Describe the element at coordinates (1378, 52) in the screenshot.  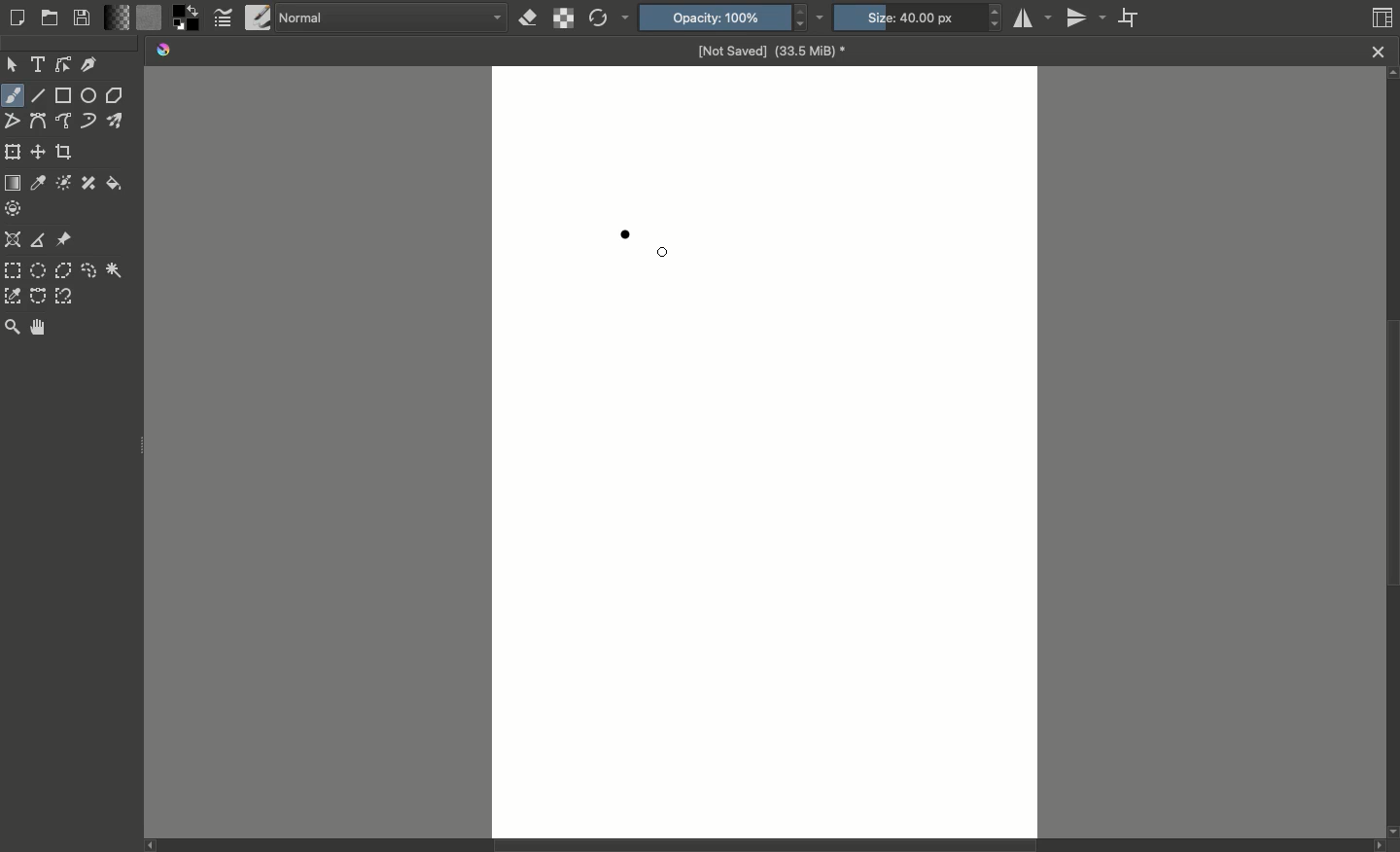
I see `Close` at that location.